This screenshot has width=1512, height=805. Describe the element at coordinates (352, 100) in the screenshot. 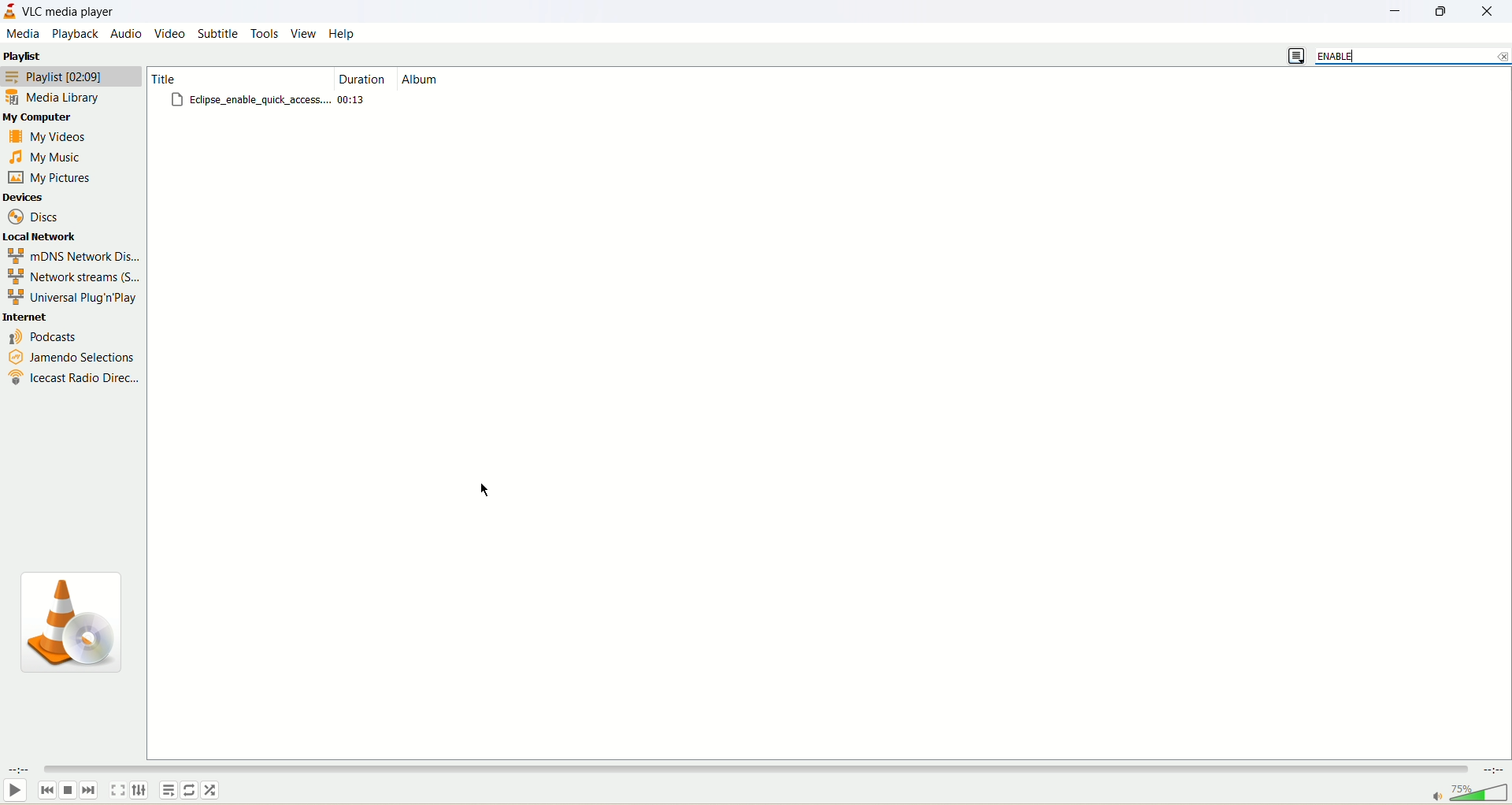

I see `00:13` at that location.